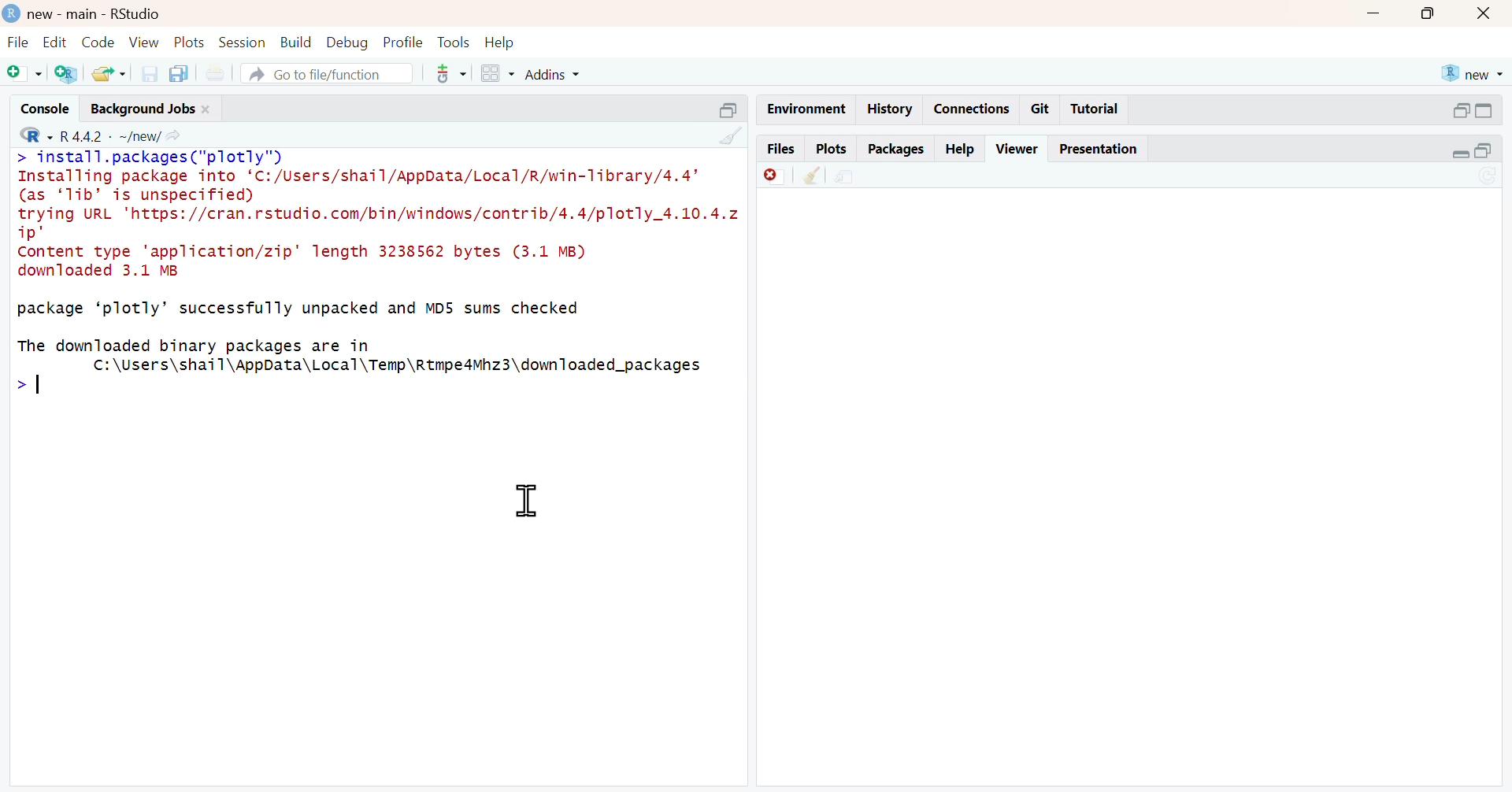 Image resolution: width=1512 pixels, height=792 pixels. What do you see at coordinates (971, 109) in the screenshot?
I see `connections` at bounding box center [971, 109].